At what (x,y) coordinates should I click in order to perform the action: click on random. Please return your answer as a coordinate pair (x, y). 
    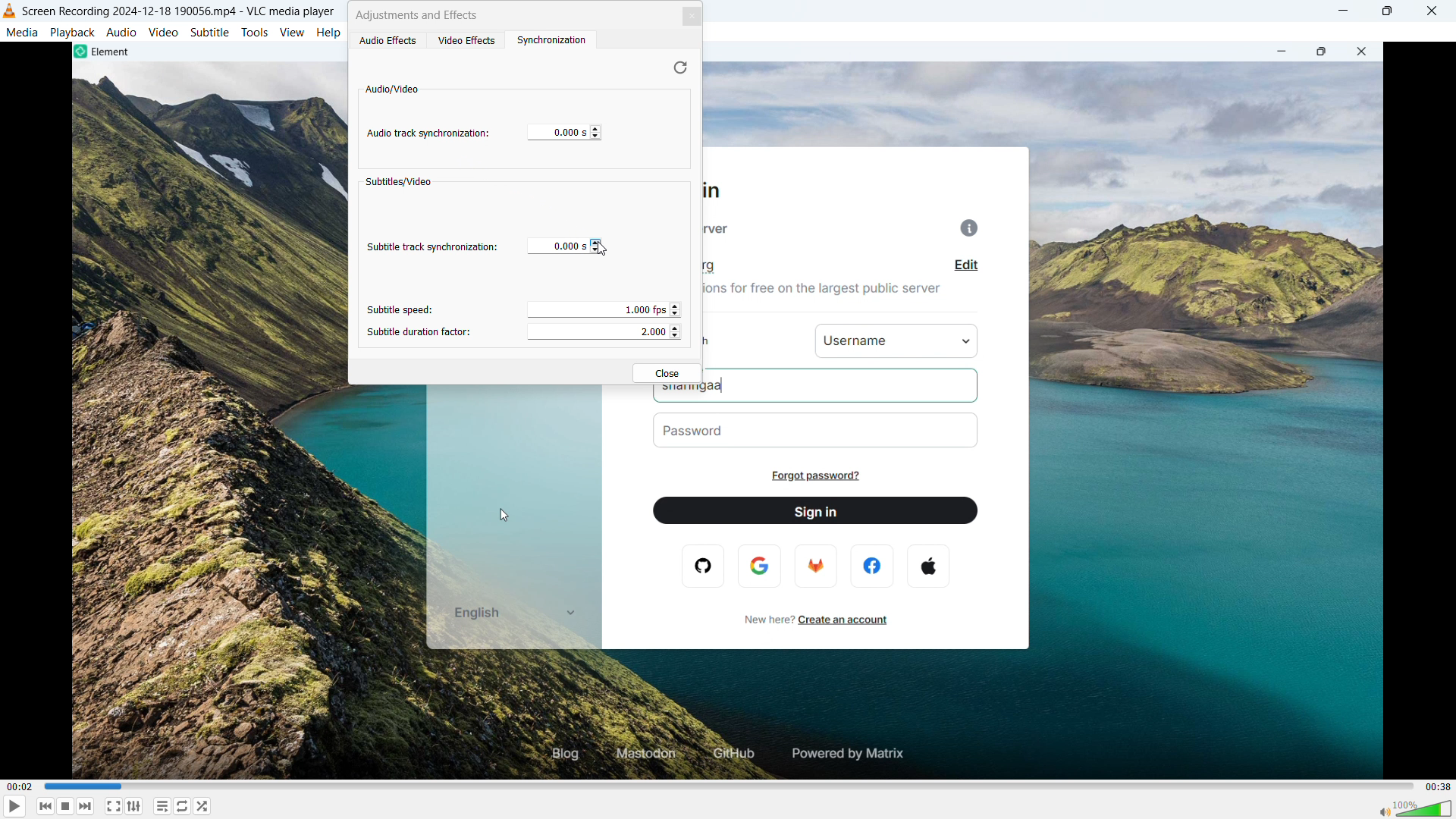
    Looking at the image, I should click on (202, 806).